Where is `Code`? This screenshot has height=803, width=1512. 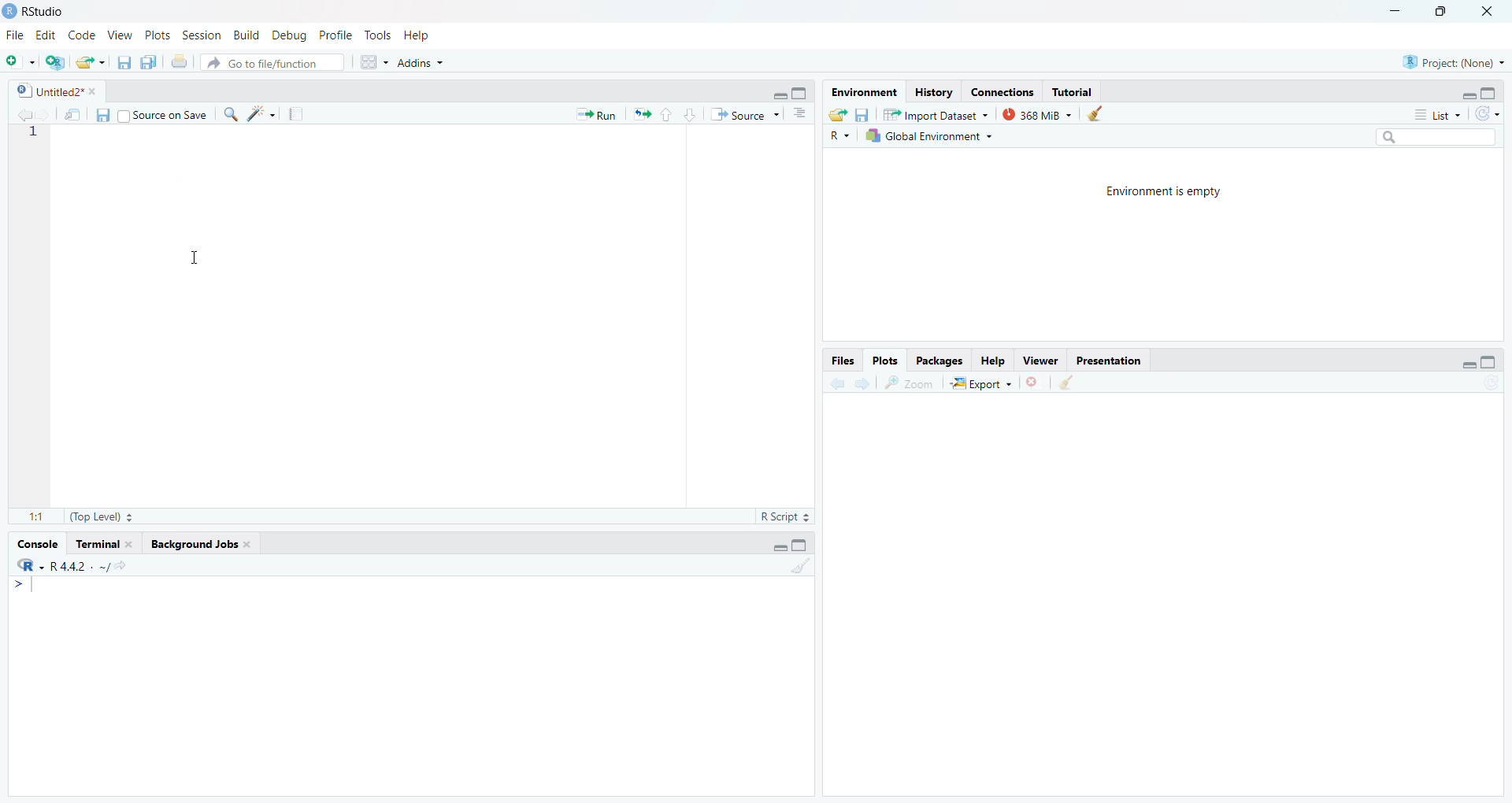
Code is located at coordinates (82, 35).